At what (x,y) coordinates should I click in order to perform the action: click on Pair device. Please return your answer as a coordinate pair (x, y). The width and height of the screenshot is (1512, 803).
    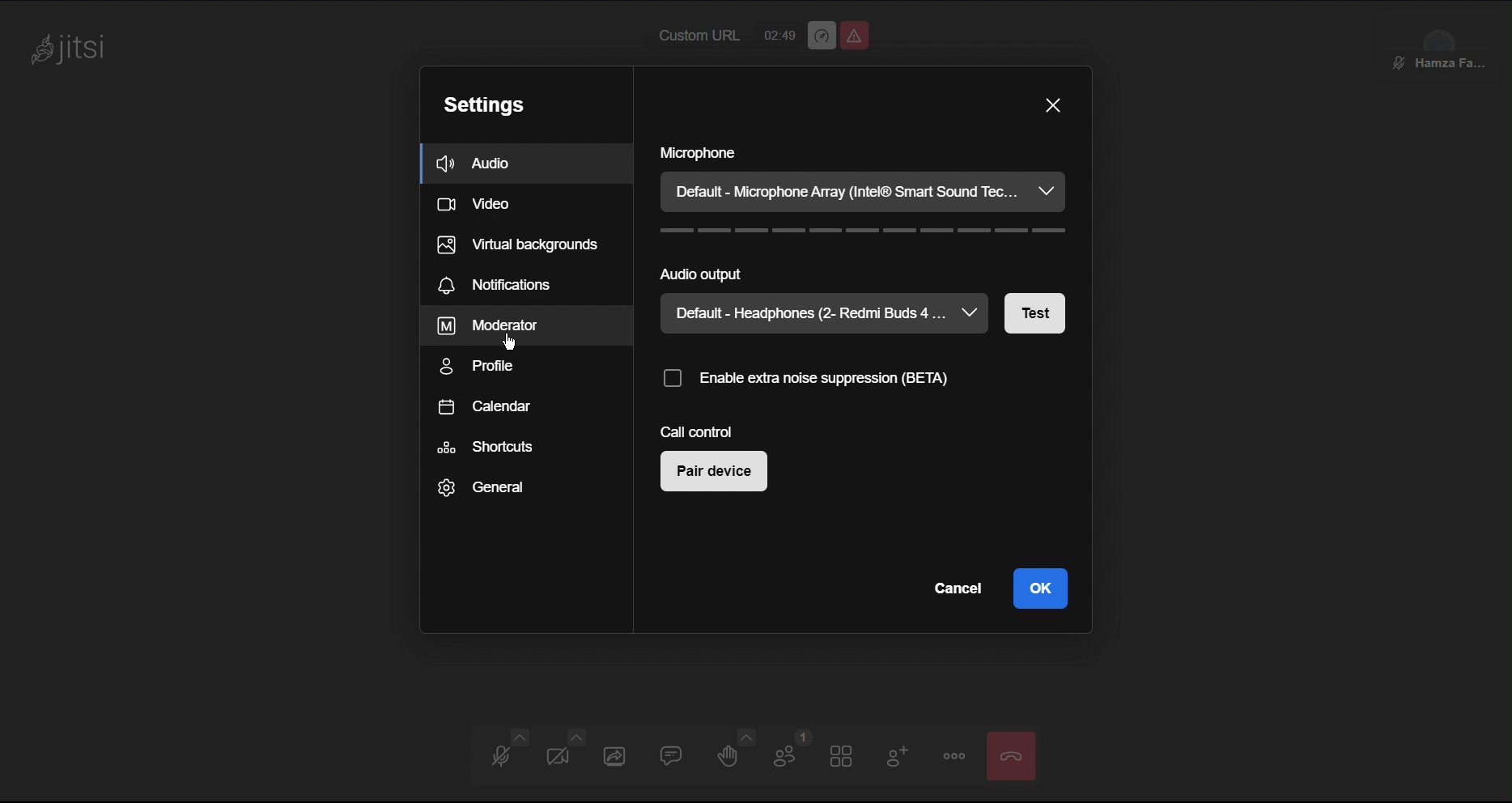
    Looking at the image, I should click on (712, 473).